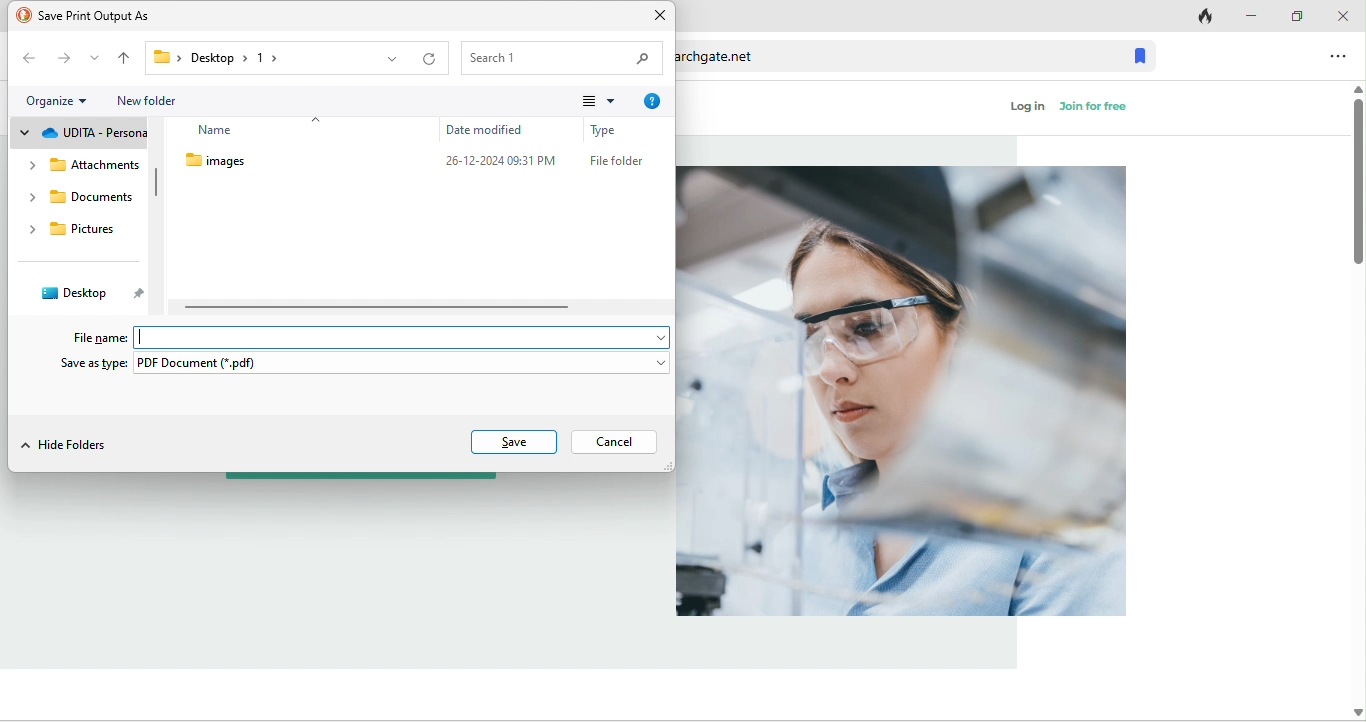  Describe the element at coordinates (60, 59) in the screenshot. I see `forward` at that location.